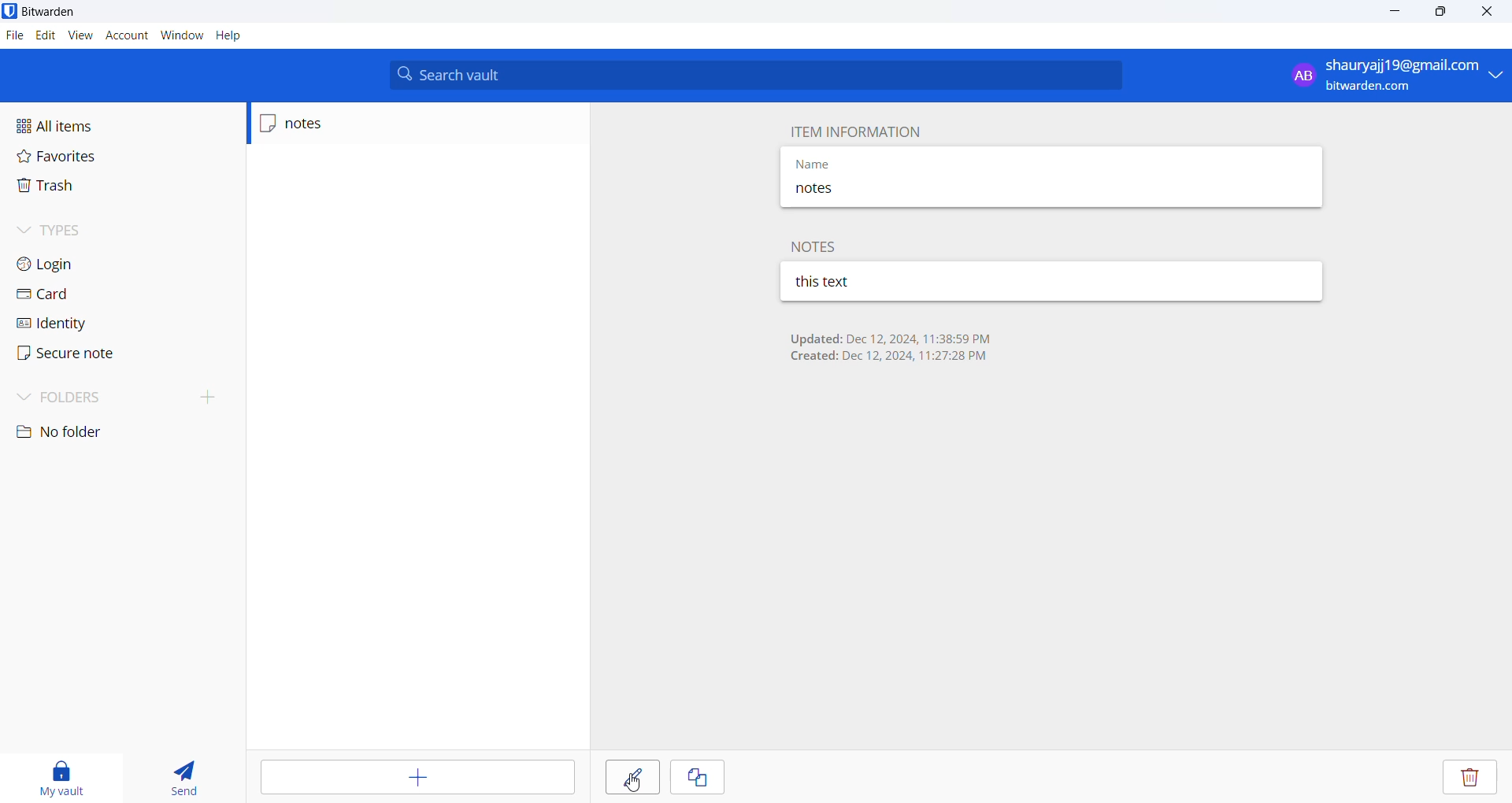  Describe the element at coordinates (1391, 13) in the screenshot. I see `minimize` at that location.